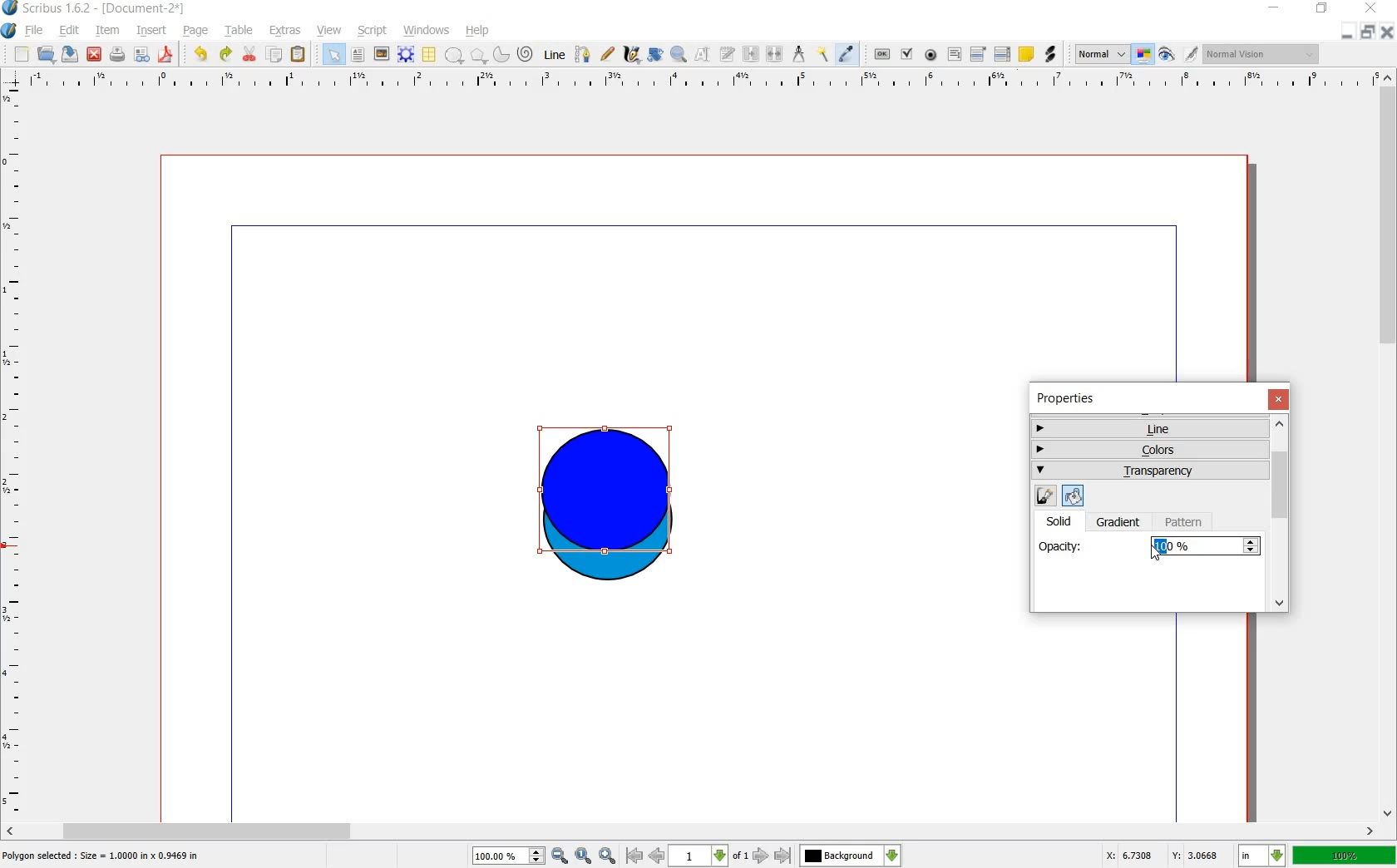  Describe the element at coordinates (701, 84) in the screenshot. I see `ruler` at that location.